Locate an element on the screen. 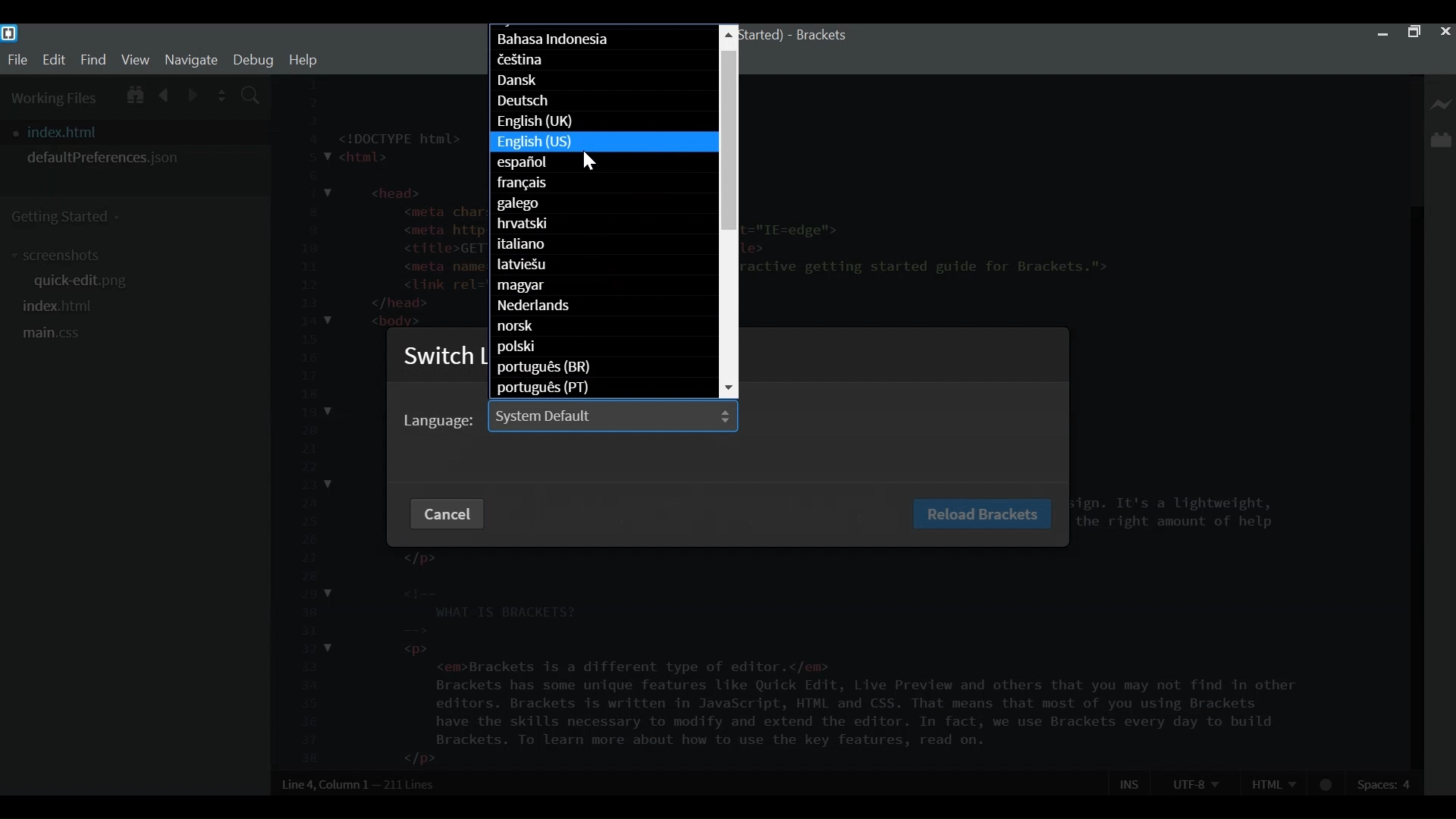  View is located at coordinates (136, 59).